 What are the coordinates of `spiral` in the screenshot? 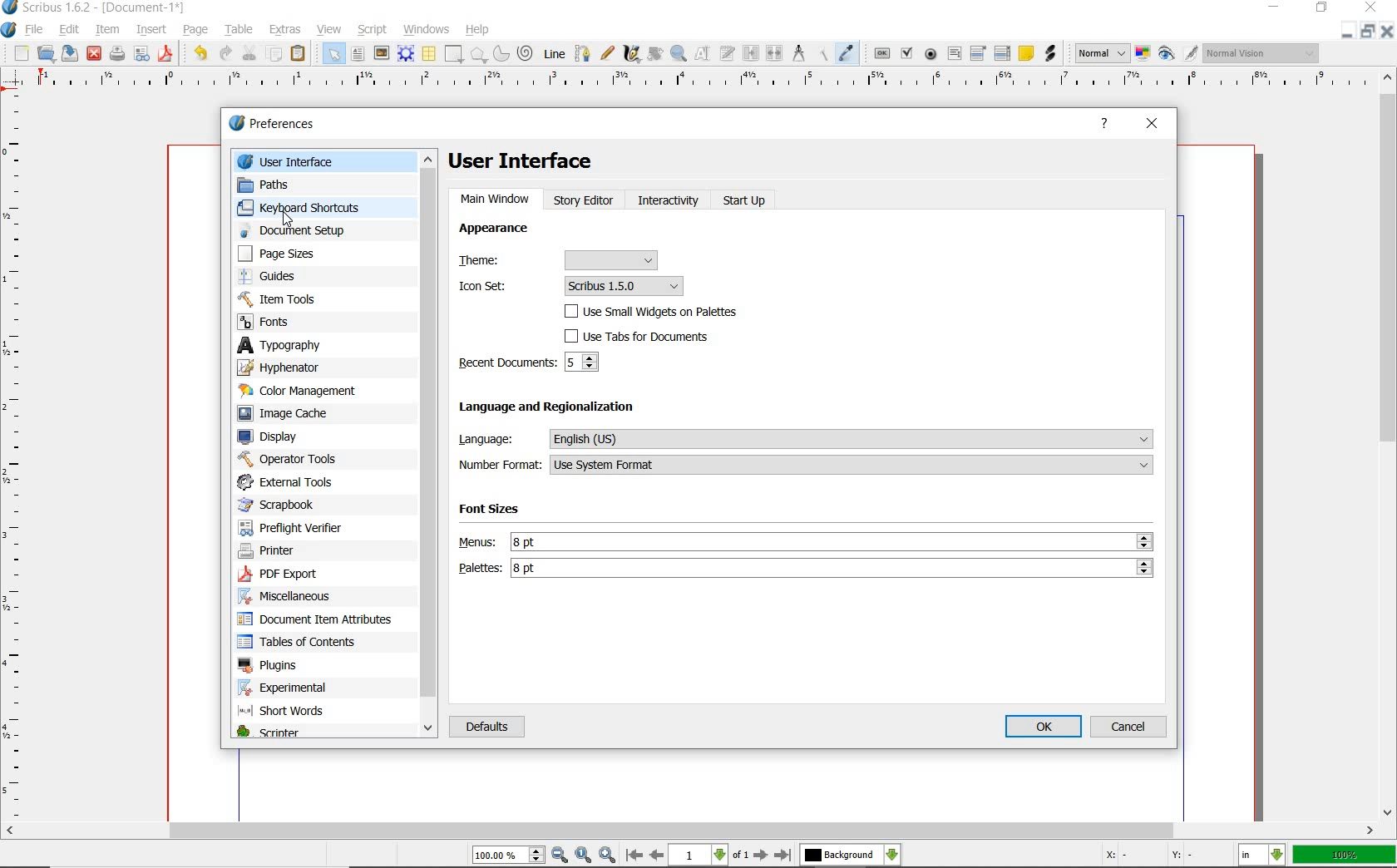 It's located at (526, 52).